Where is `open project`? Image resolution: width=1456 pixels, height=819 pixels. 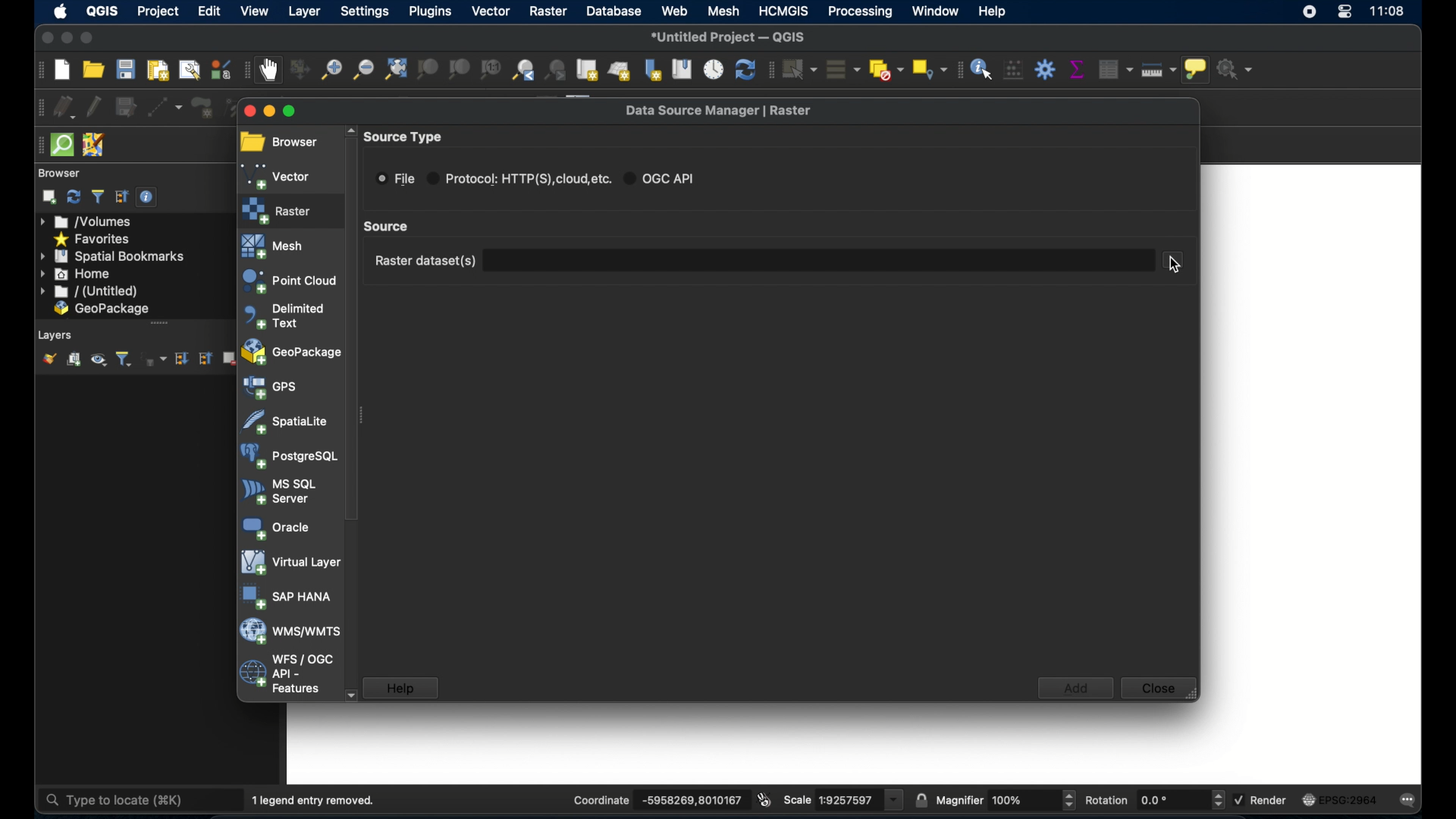
open project is located at coordinates (95, 69).